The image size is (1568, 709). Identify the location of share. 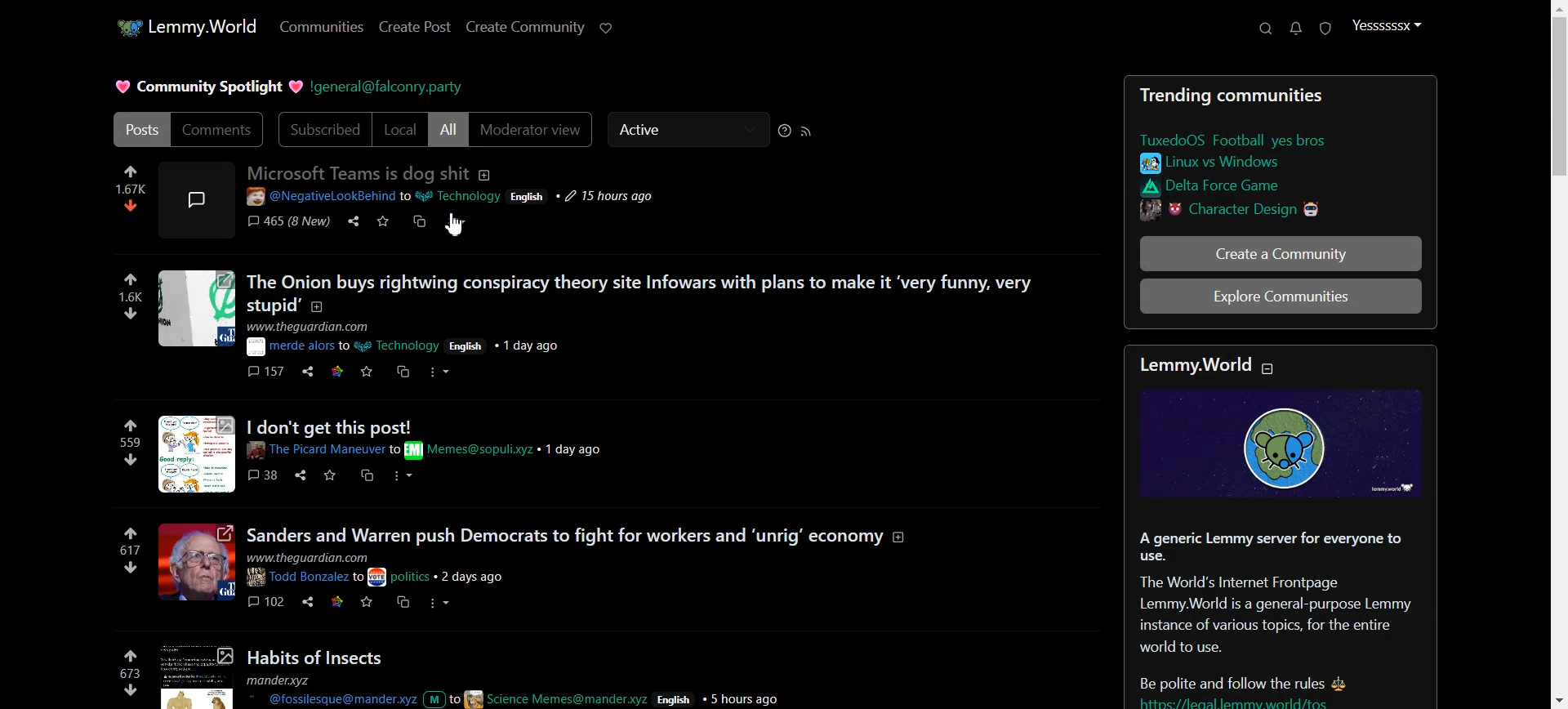
(308, 600).